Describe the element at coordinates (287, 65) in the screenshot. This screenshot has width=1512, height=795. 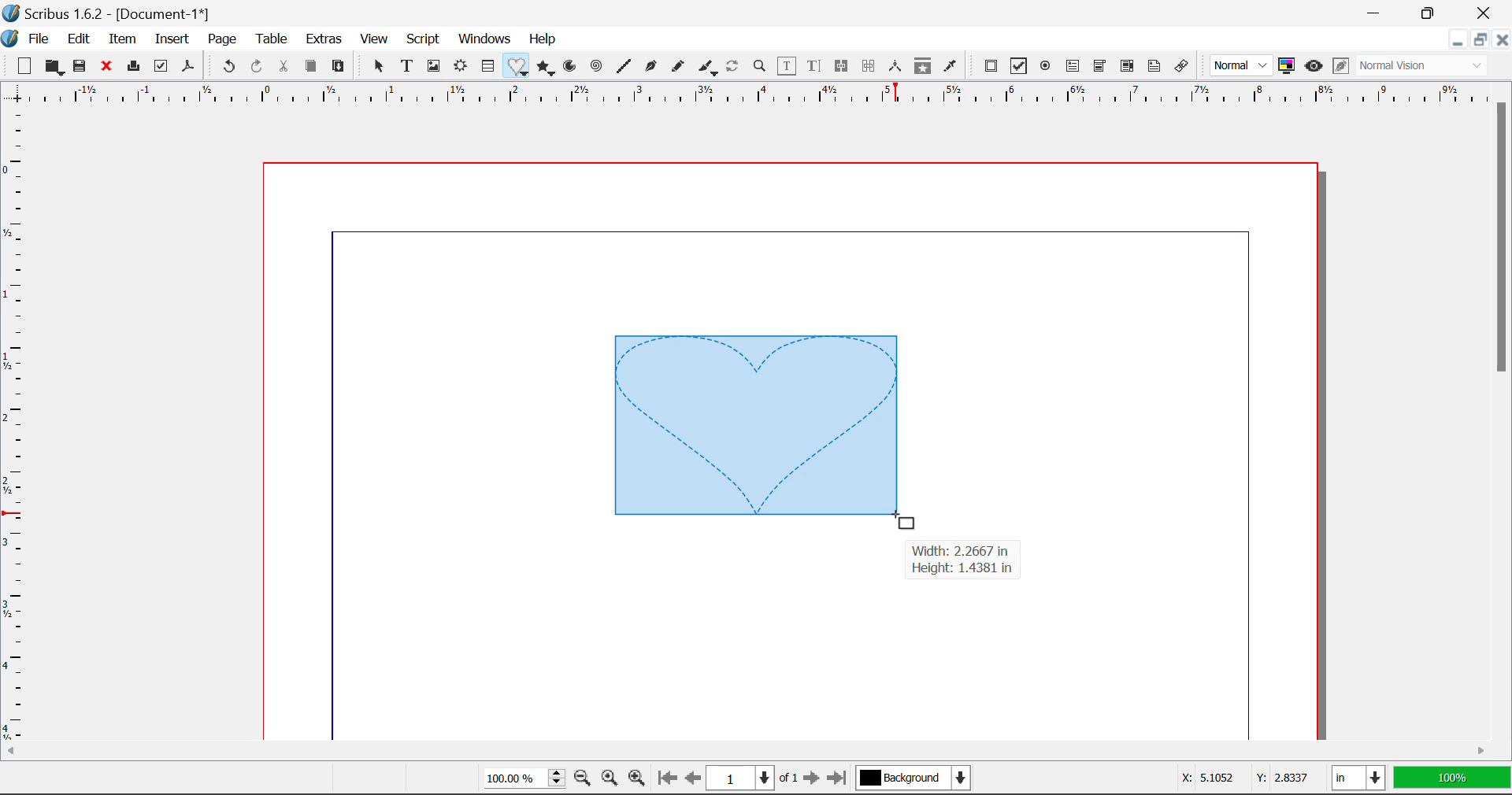
I see `Cut` at that location.